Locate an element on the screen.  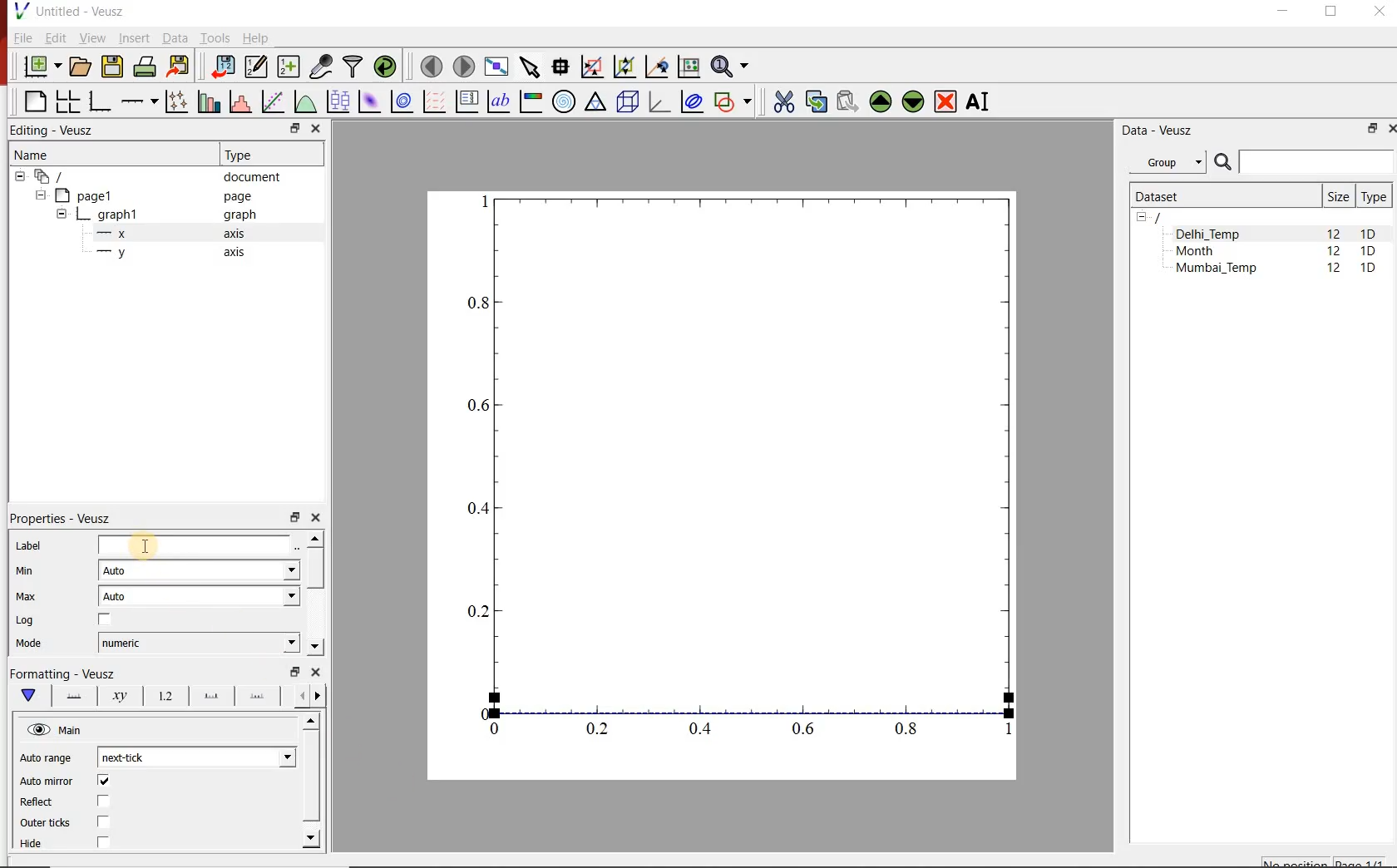
Tick labels is located at coordinates (164, 693).